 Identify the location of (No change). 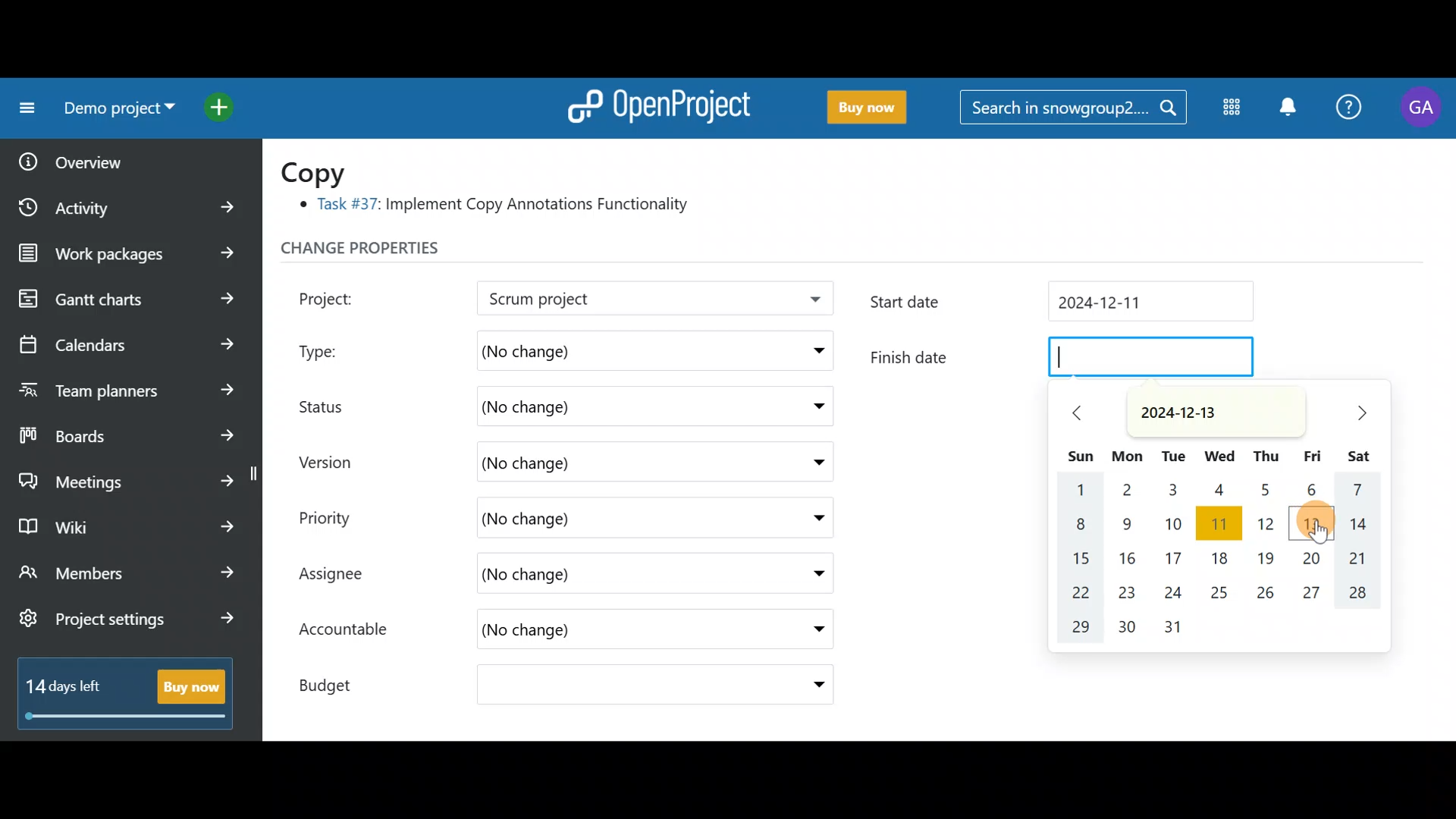
(573, 518).